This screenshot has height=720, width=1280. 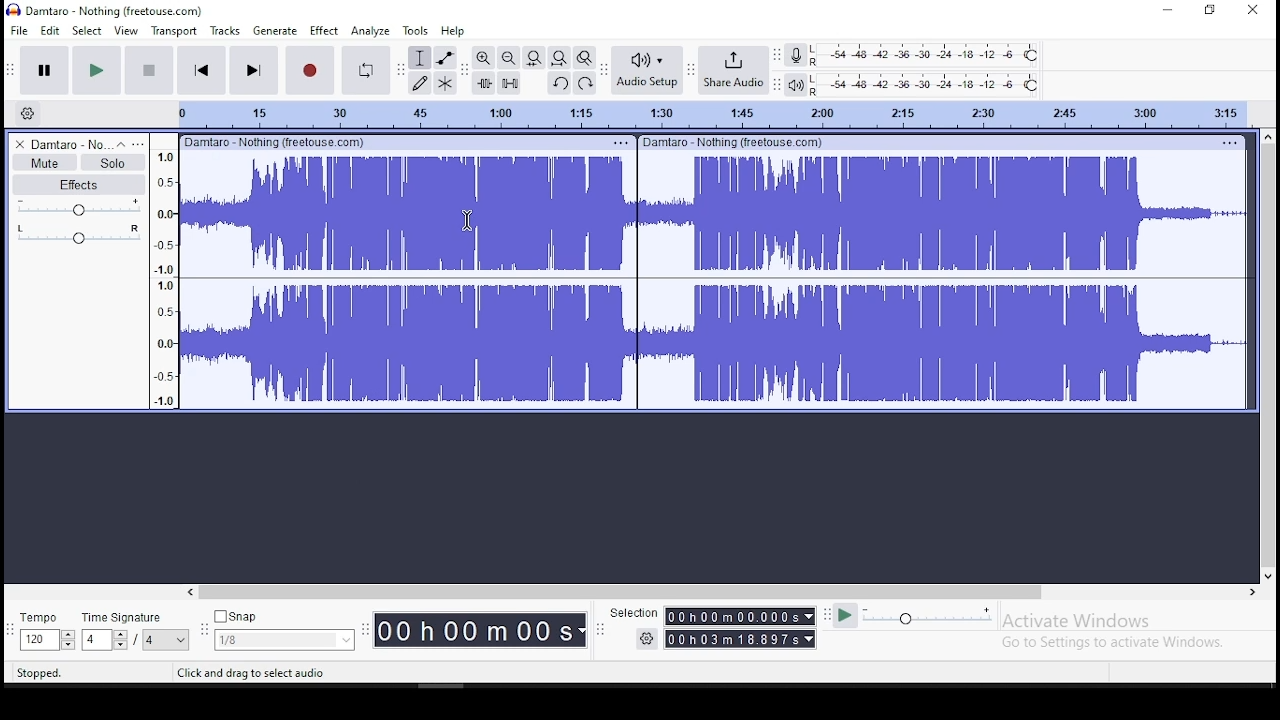 I want to click on analyze, so click(x=370, y=32).